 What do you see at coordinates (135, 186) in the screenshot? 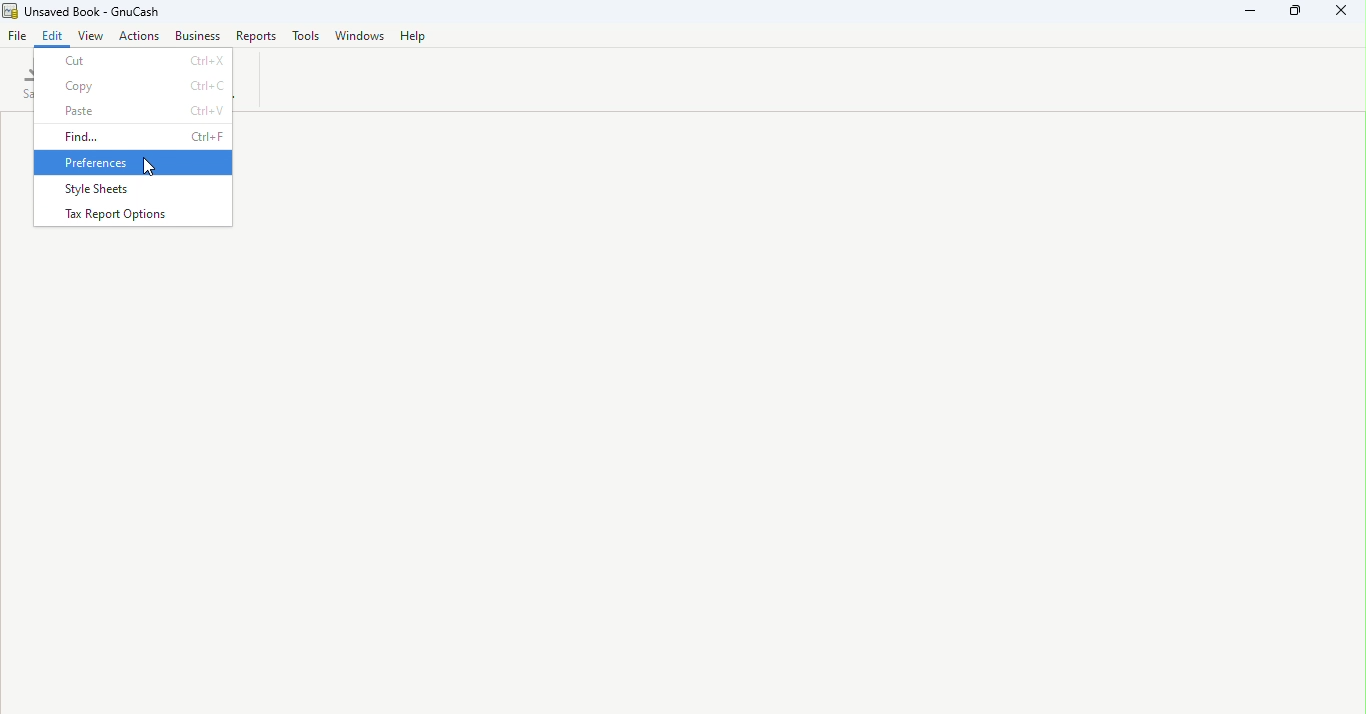
I see `Style sheets` at bounding box center [135, 186].